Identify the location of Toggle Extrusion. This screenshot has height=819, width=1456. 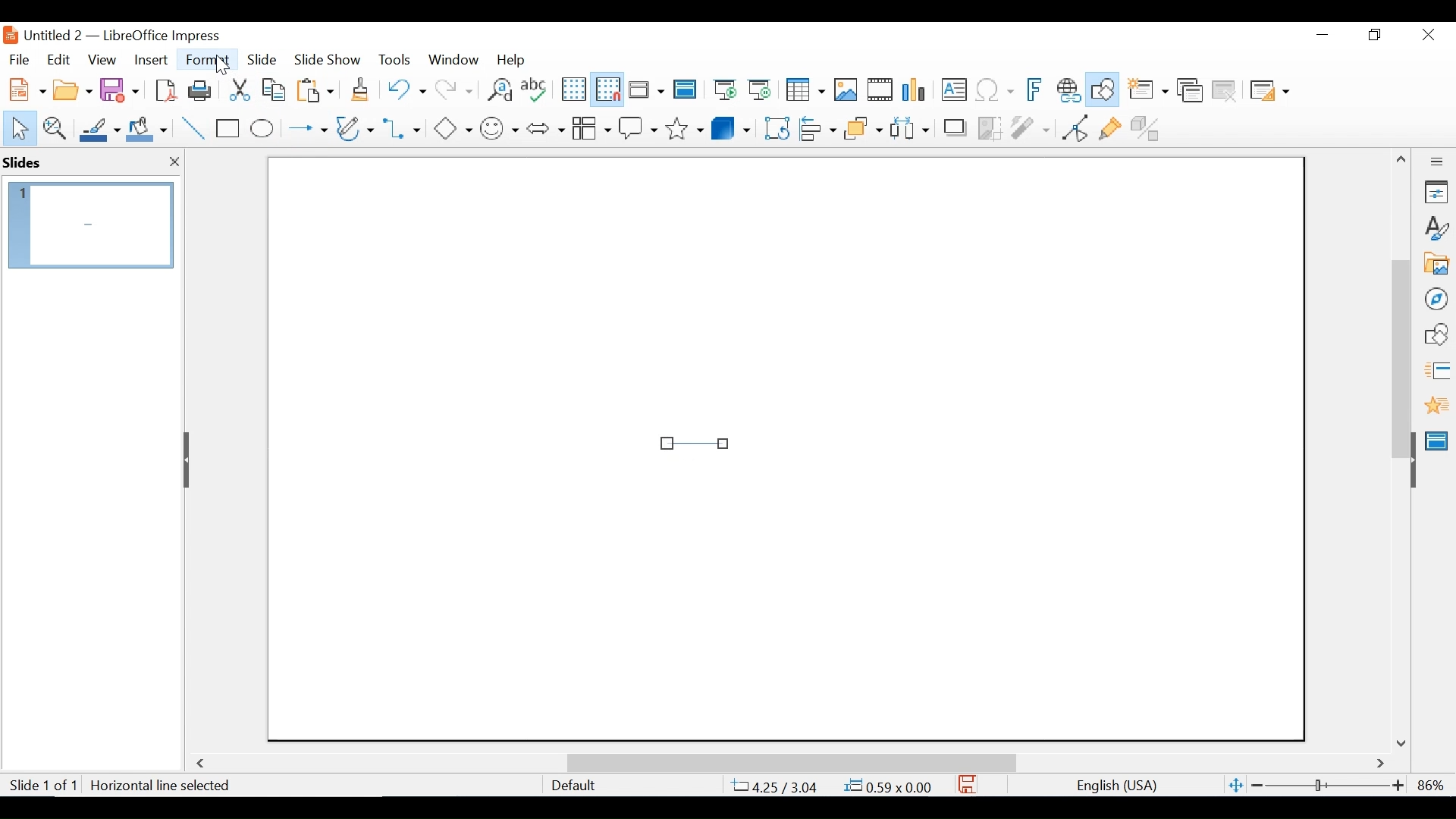
(1149, 127).